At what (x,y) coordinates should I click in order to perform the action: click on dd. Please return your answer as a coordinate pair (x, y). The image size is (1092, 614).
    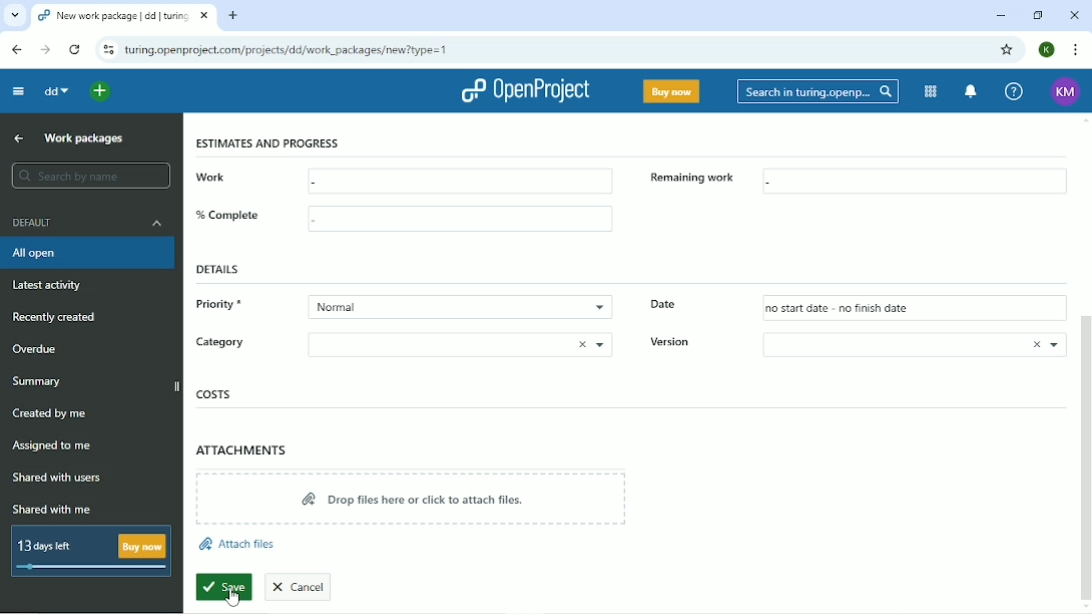
    Looking at the image, I should click on (57, 92).